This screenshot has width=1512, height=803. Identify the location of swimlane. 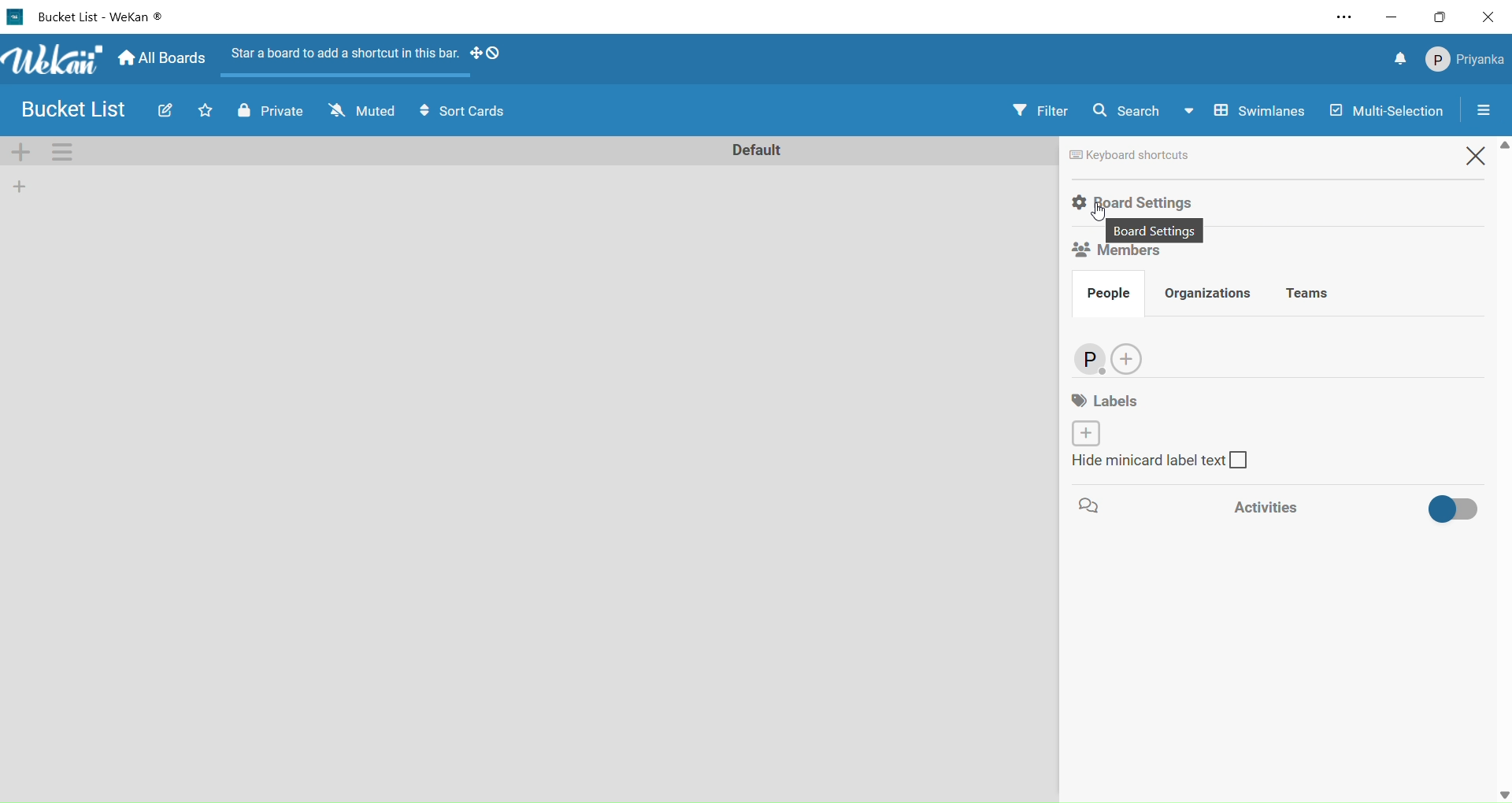
(1243, 109).